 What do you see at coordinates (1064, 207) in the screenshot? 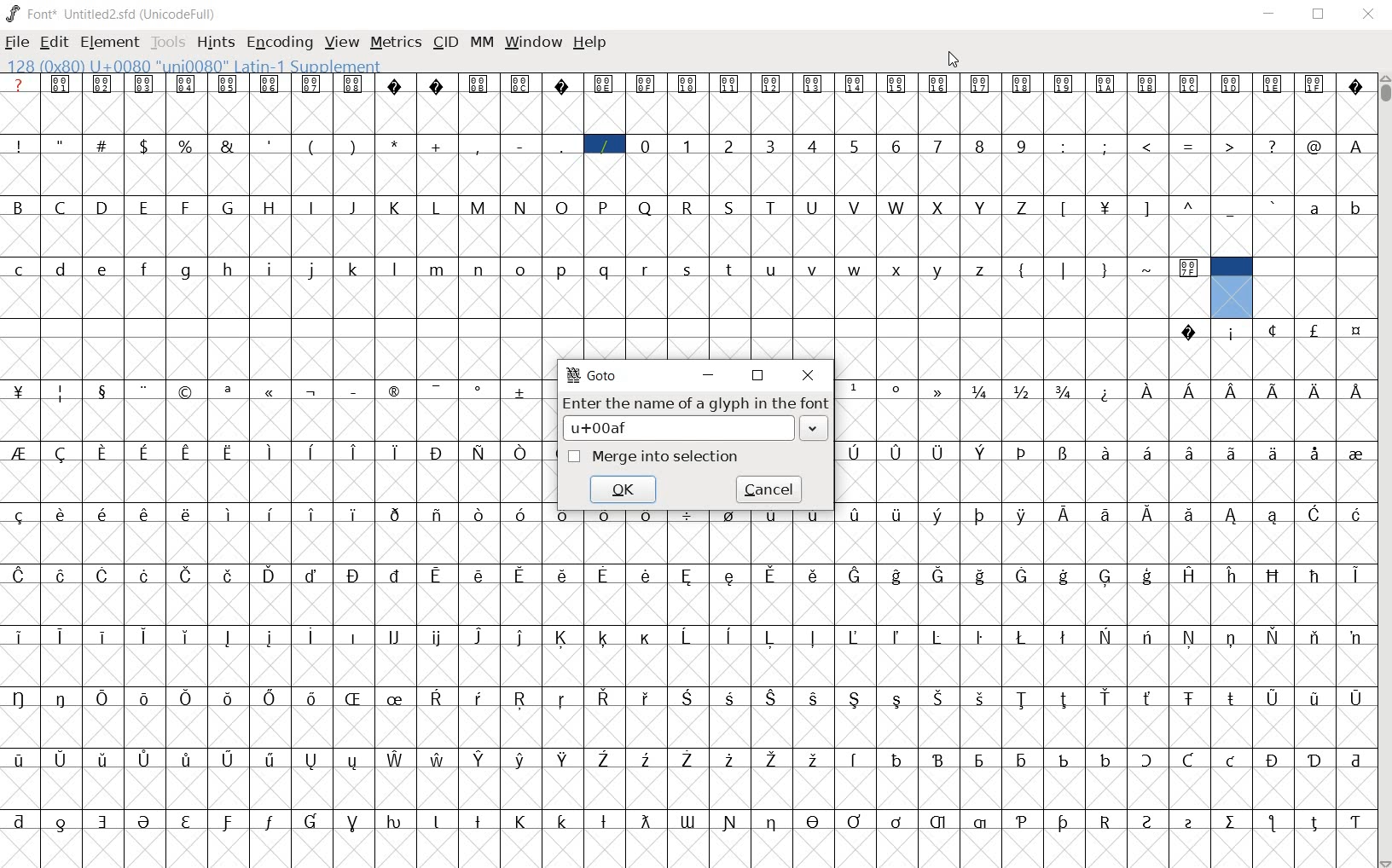
I see `[` at bounding box center [1064, 207].